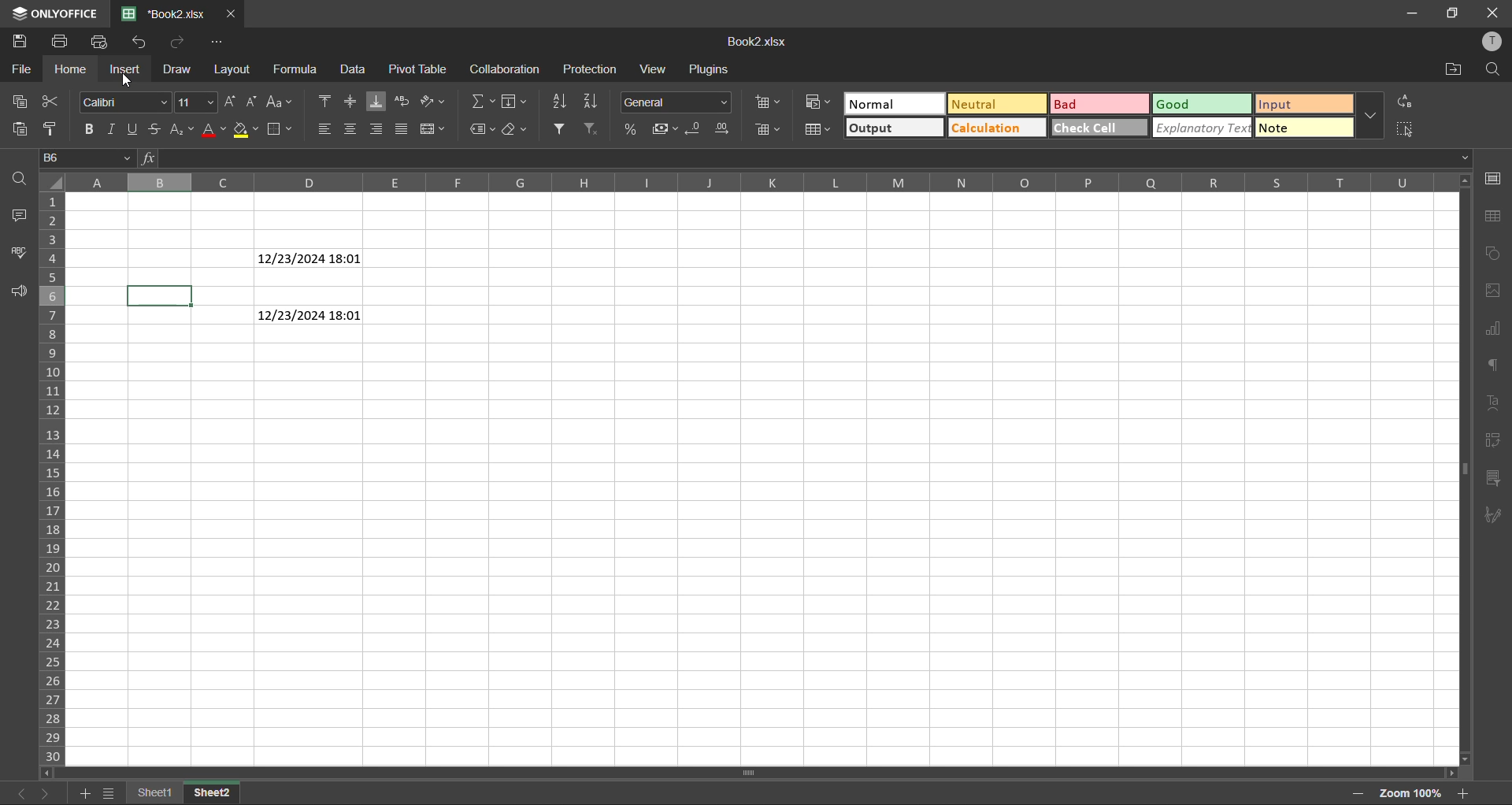 The height and width of the screenshot is (805, 1512). Describe the element at coordinates (1497, 403) in the screenshot. I see `text` at that location.